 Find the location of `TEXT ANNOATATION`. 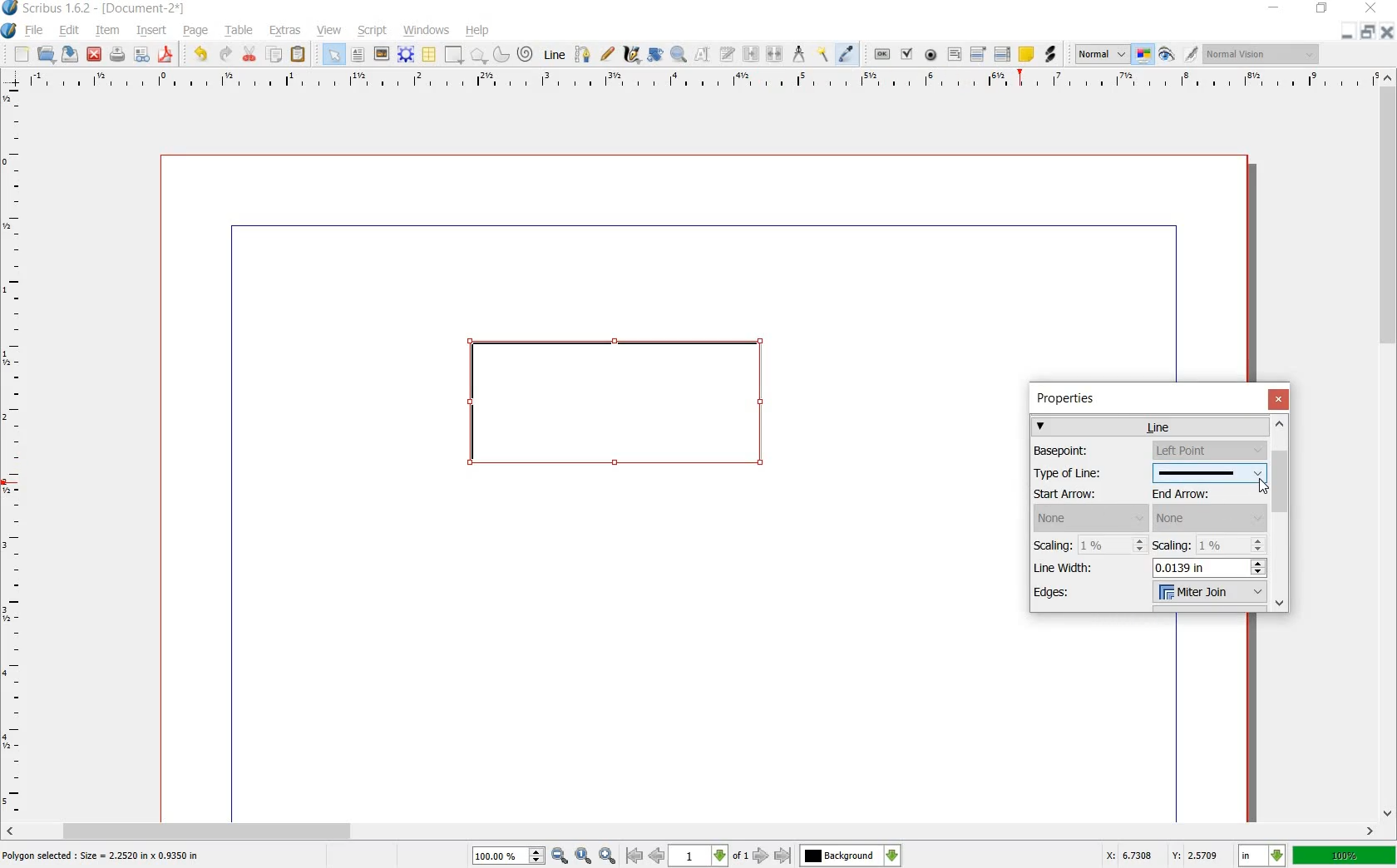

TEXT ANNOATATION is located at coordinates (1025, 55).